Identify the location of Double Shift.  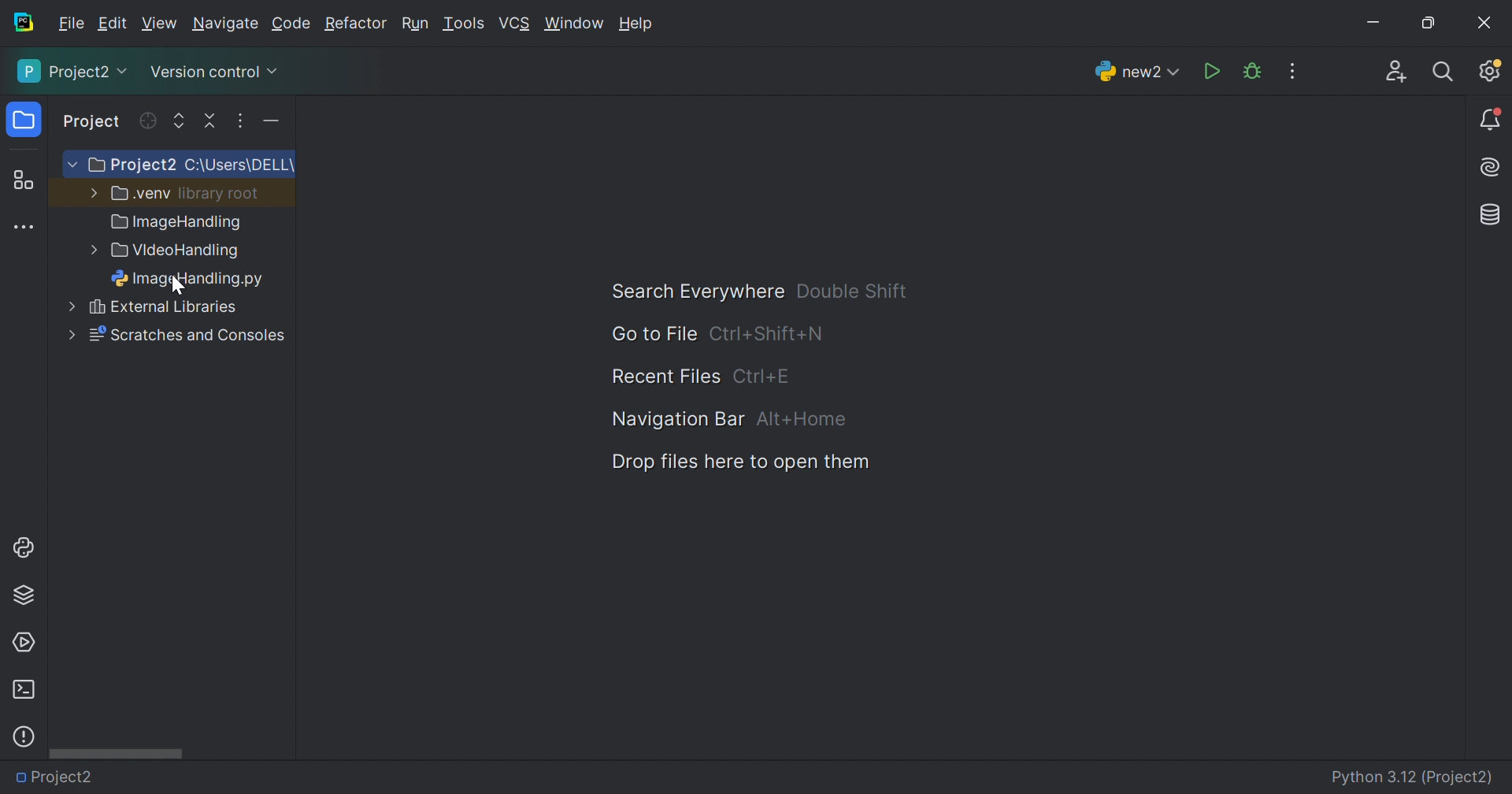
(851, 291).